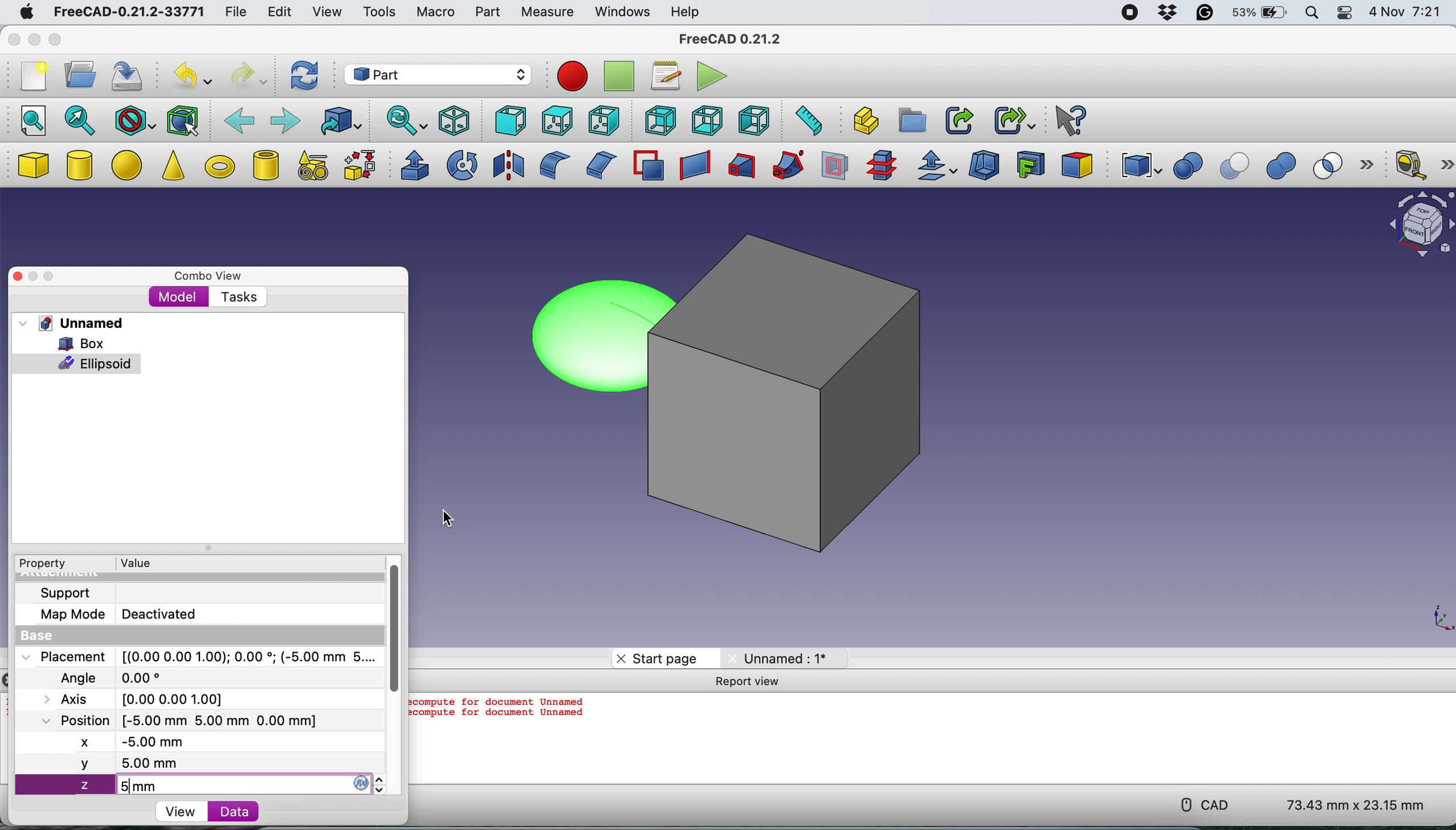  What do you see at coordinates (509, 164) in the screenshot?
I see `mirroring` at bounding box center [509, 164].